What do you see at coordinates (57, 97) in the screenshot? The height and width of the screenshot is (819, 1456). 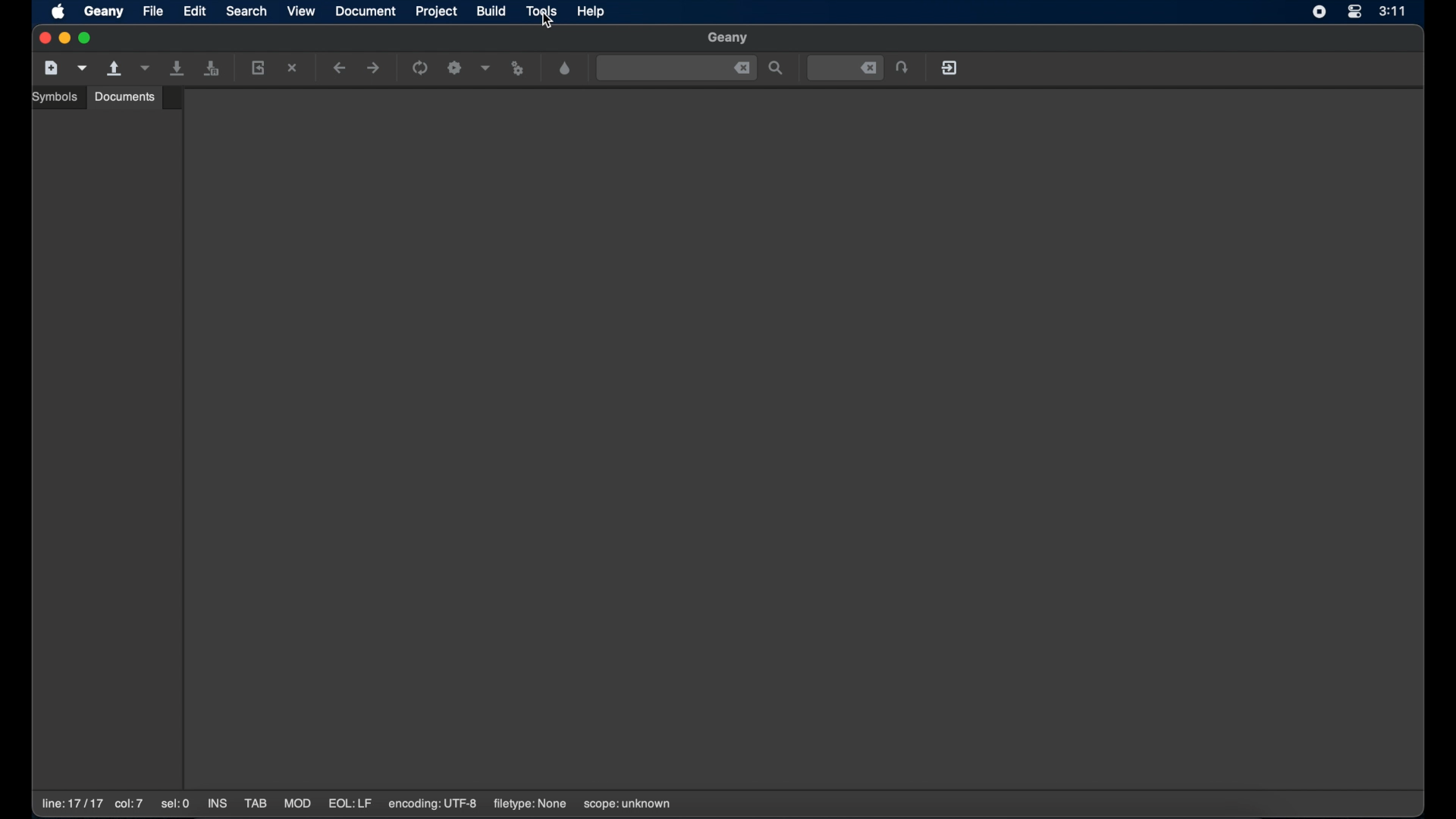 I see `symbols` at bounding box center [57, 97].